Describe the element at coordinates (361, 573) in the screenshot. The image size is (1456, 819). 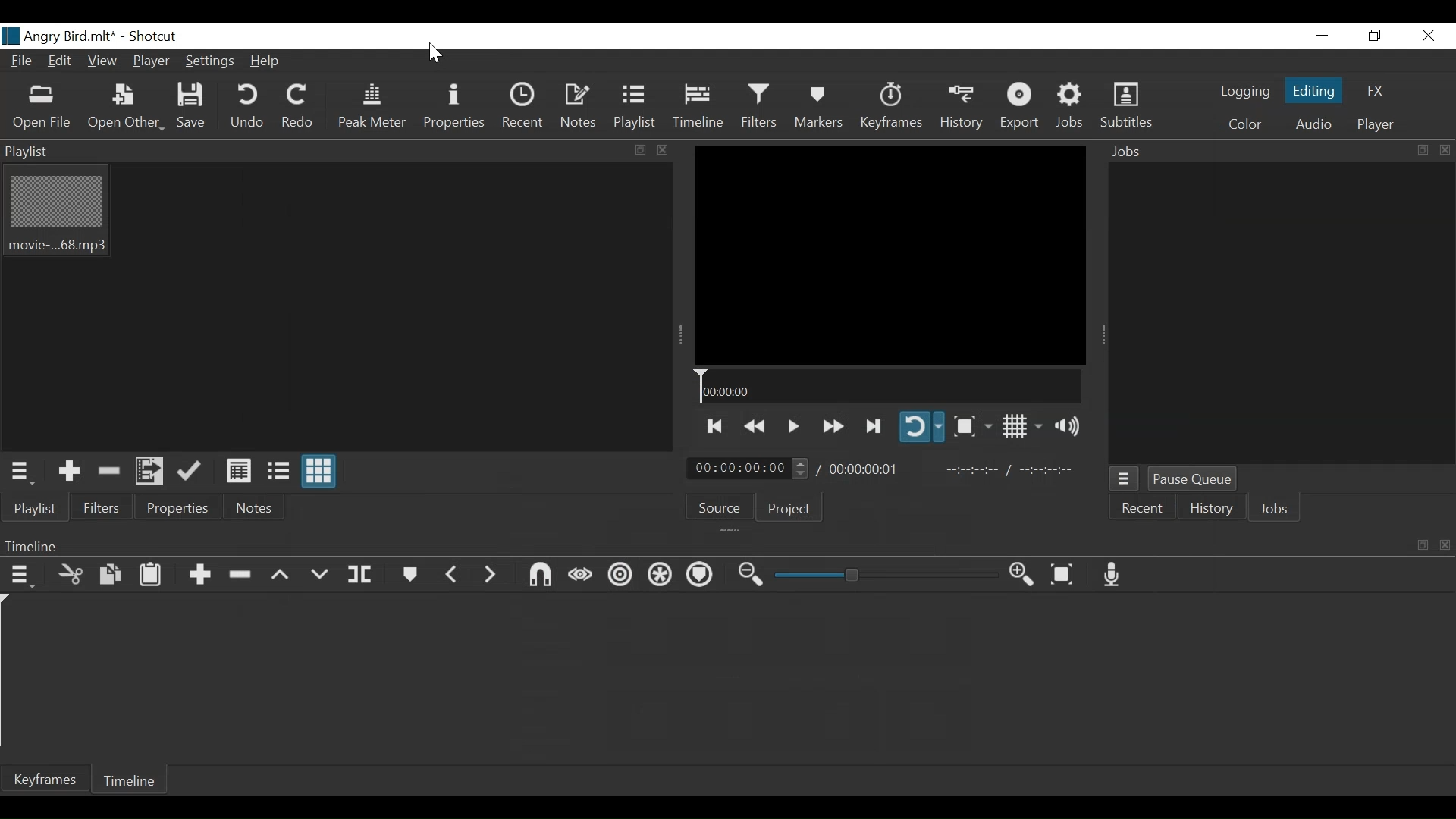
I see `Split at playhead` at that location.